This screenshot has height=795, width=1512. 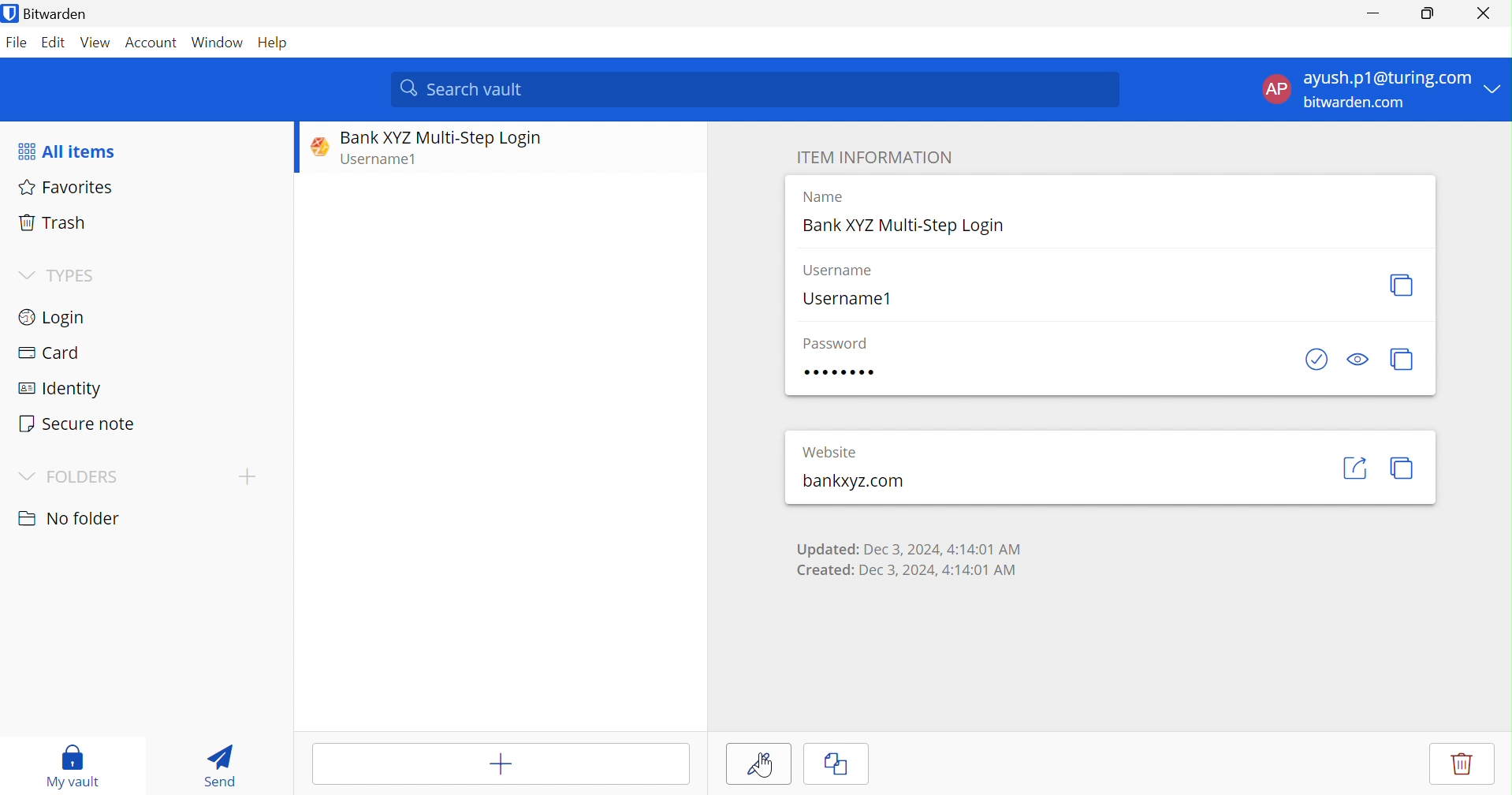 I want to click on Name, so click(x=823, y=199).